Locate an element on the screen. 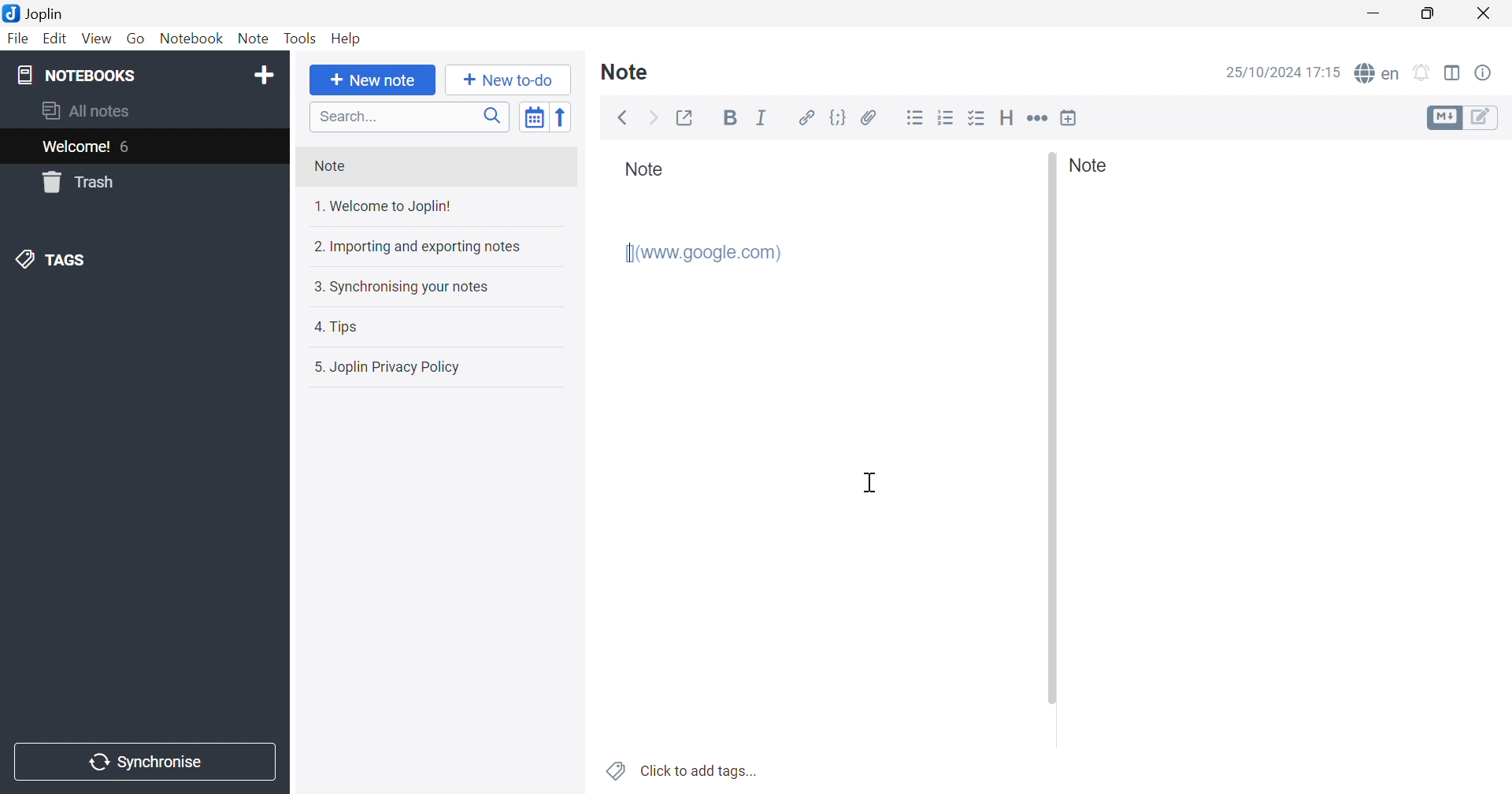  + New note is located at coordinates (373, 80).